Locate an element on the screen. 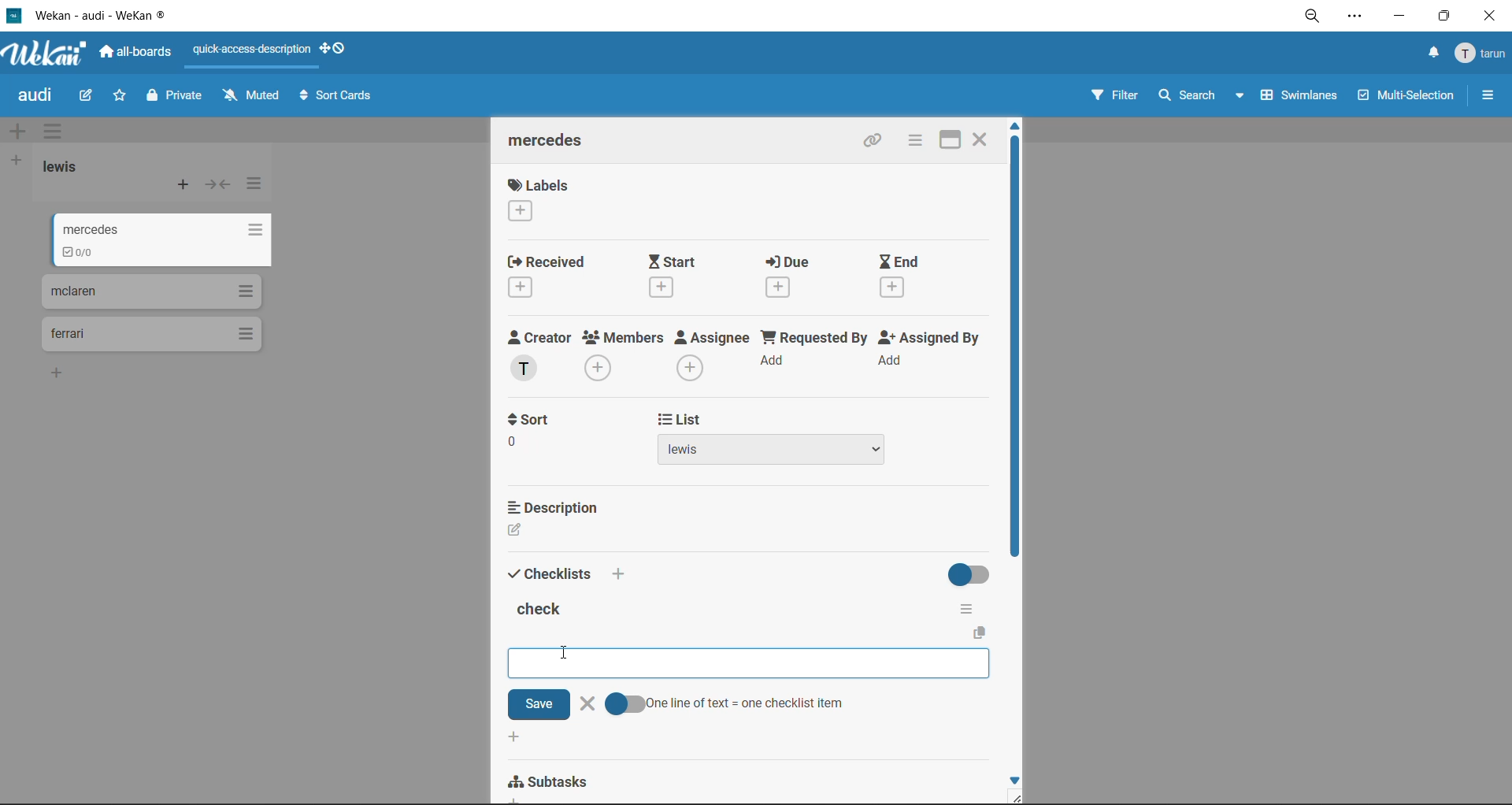 The image size is (1512, 805). sort cards is located at coordinates (339, 98).